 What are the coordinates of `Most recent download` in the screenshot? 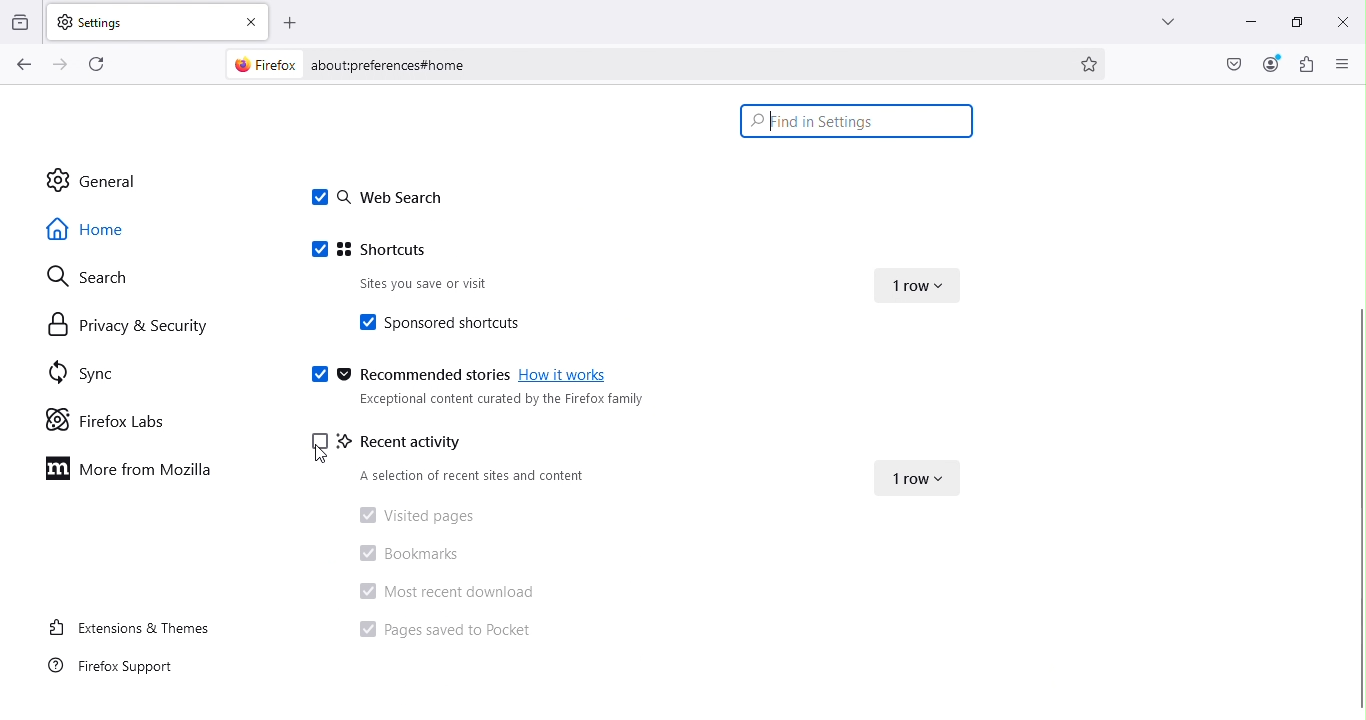 It's located at (452, 590).